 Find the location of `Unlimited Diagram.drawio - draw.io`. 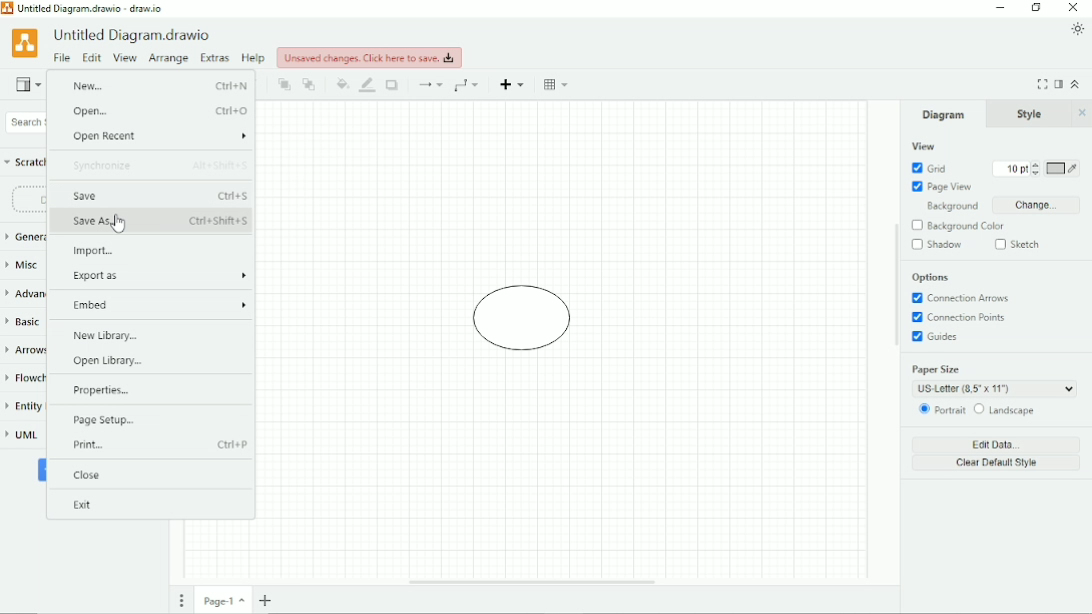

Unlimited Diagram.drawio - draw.io is located at coordinates (93, 9).